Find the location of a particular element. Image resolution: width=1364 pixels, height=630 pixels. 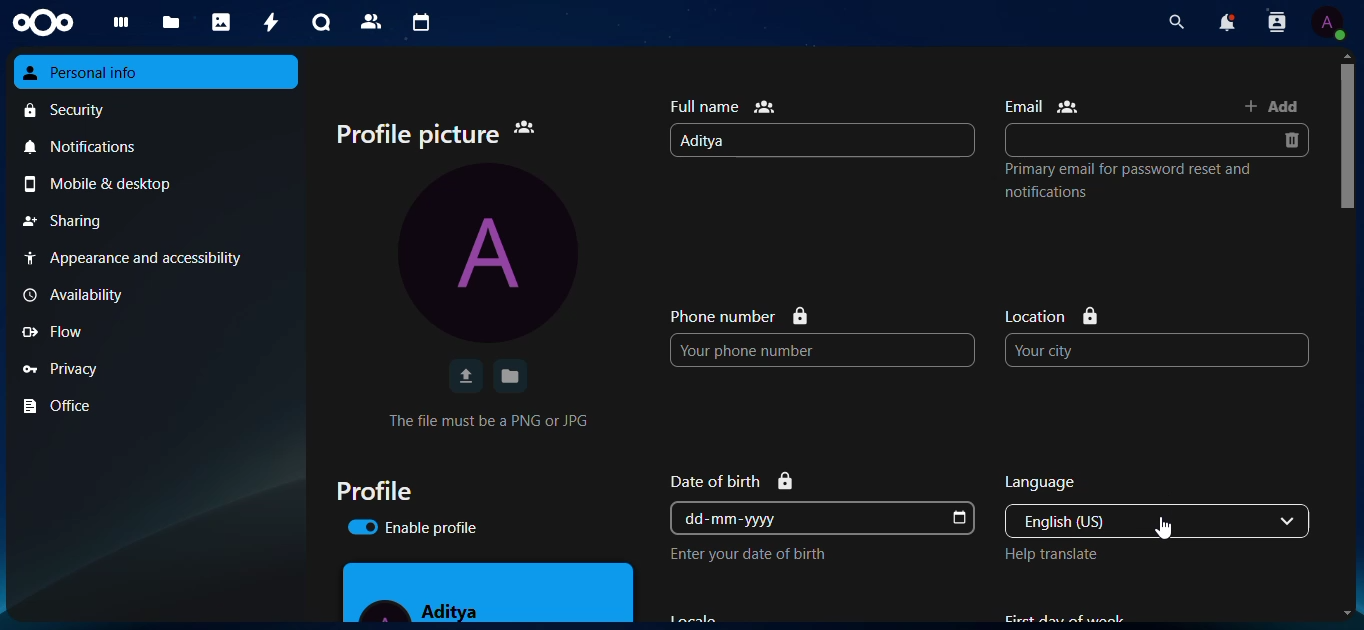

full name is located at coordinates (726, 104).